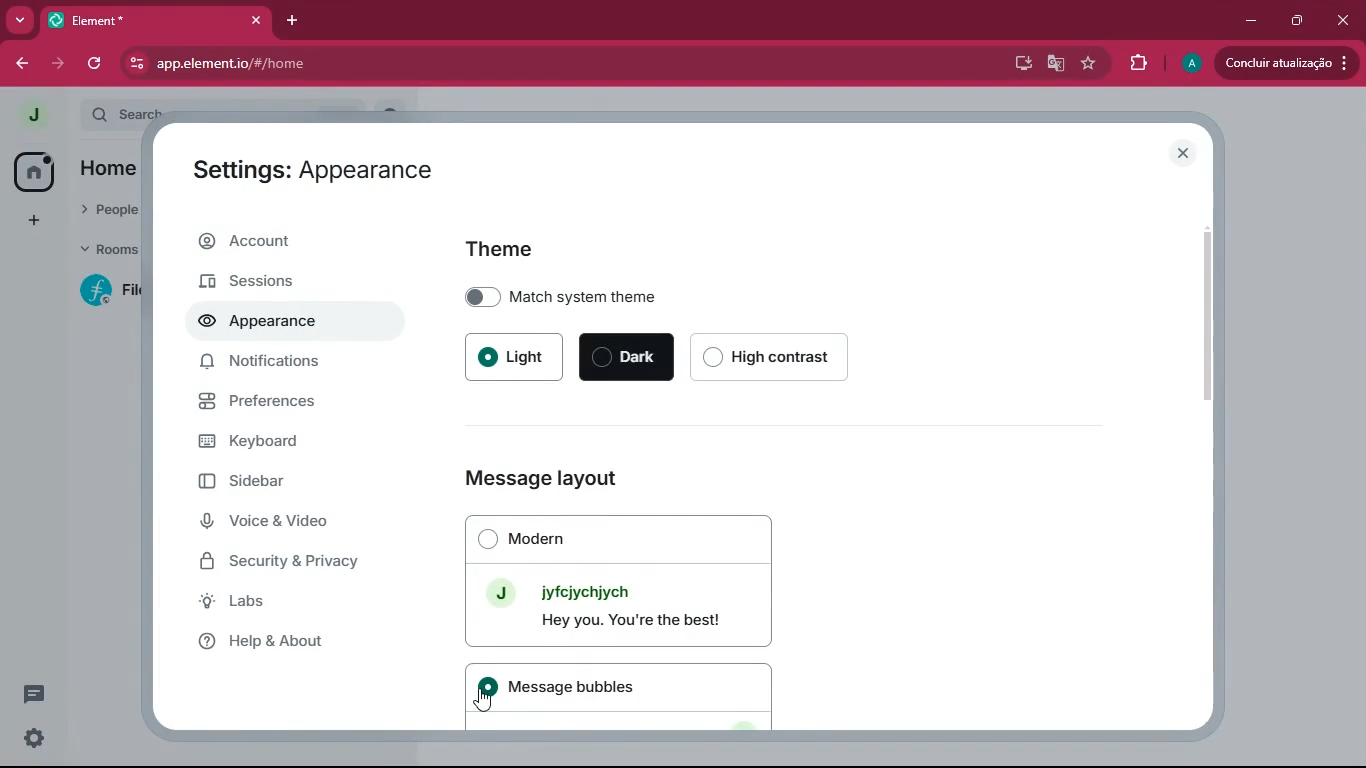 Image resolution: width=1366 pixels, height=768 pixels. What do you see at coordinates (1019, 63) in the screenshot?
I see `desktop` at bounding box center [1019, 63].